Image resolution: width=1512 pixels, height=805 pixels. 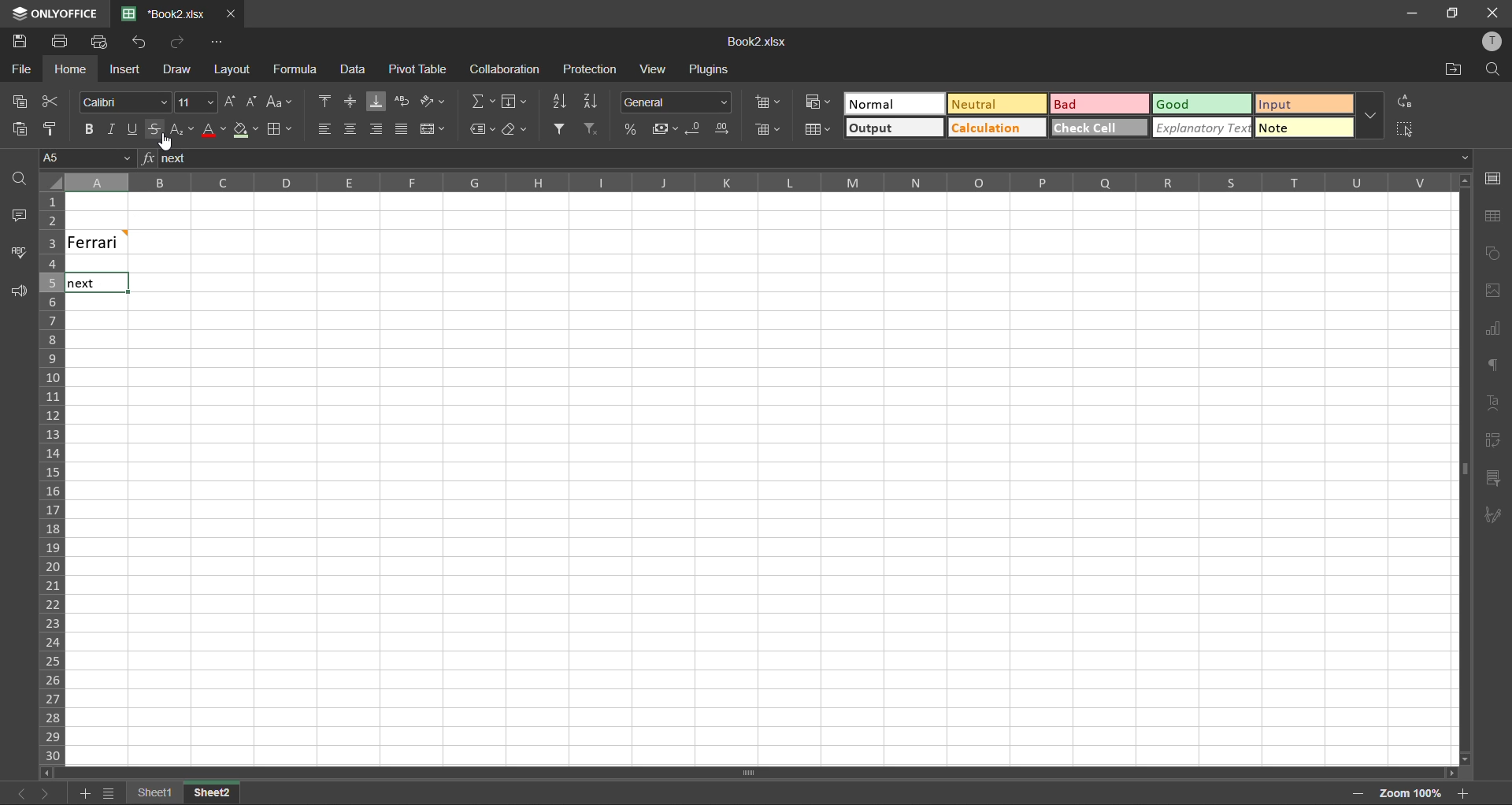 What do you see at coordinates (1495, 330) in the screenshot?
I see `charts` at bounding box center [1495, 330].